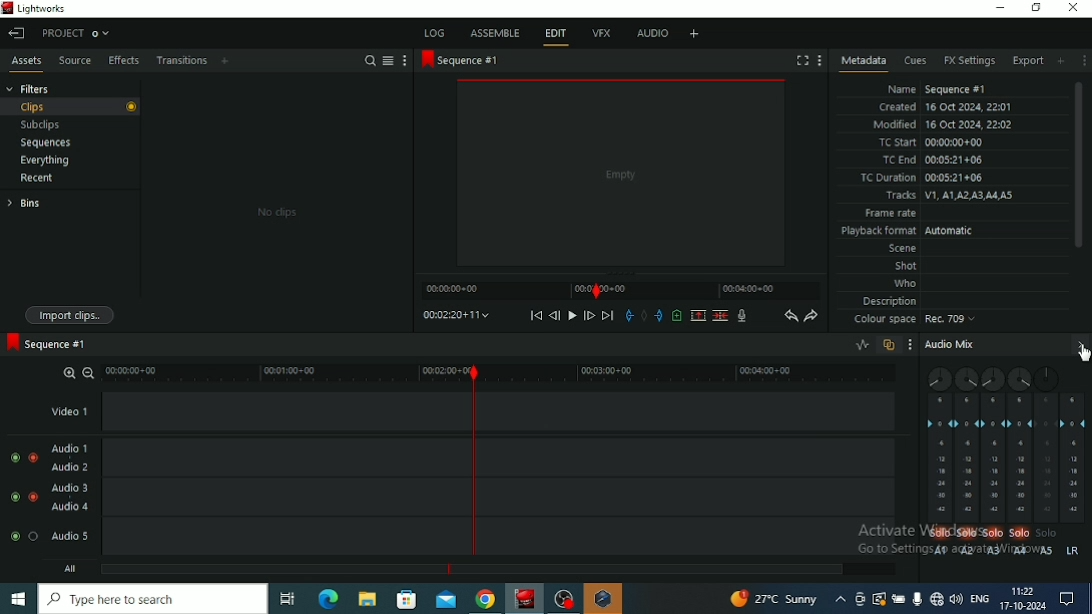  Describe the element at coordinates (677, 315) in the screenshot. I see `Add a cue at the current position` at that location.